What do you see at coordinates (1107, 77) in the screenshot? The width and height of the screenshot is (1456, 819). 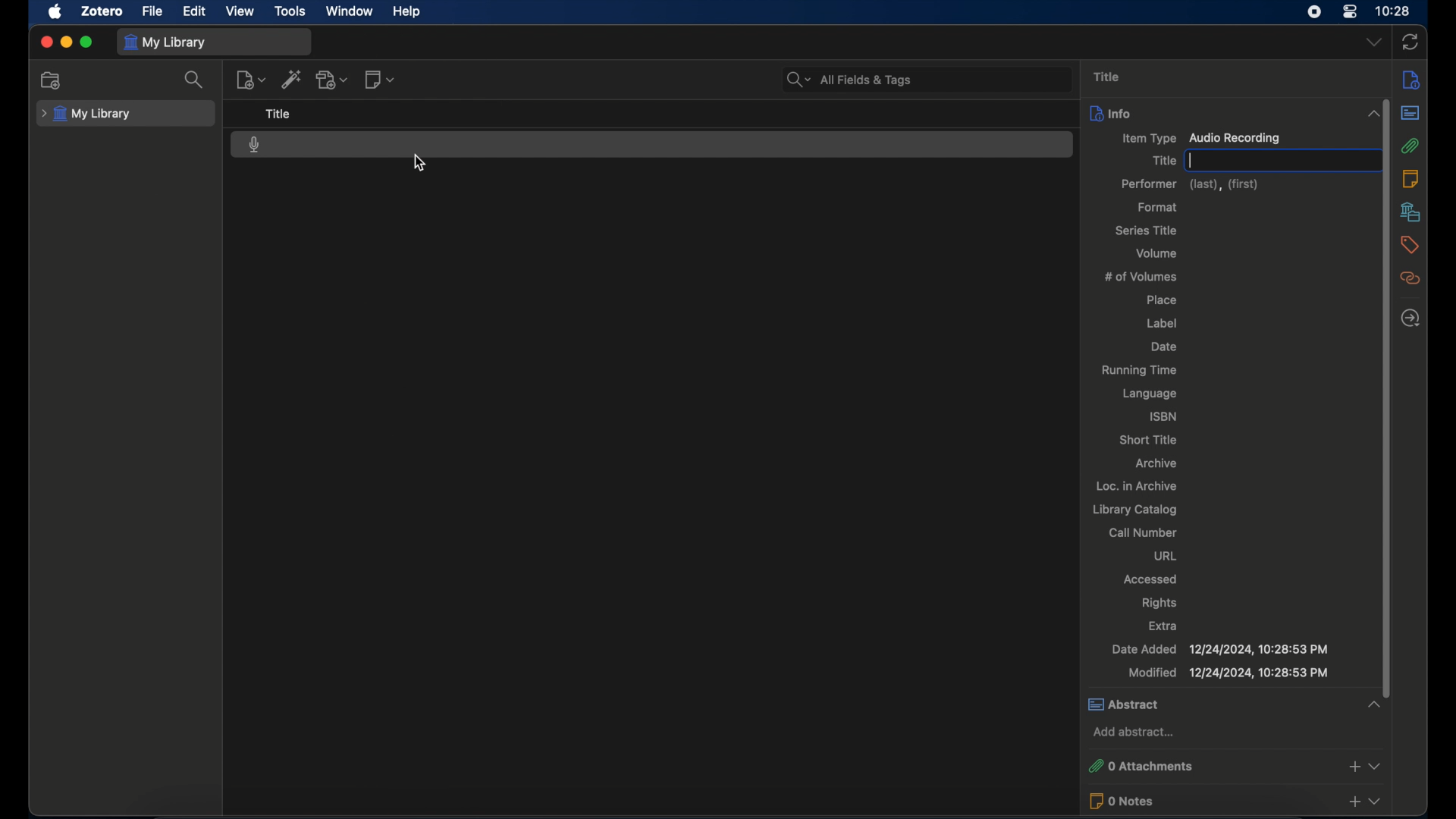 I see `title` at bounding box center [1107, 77].